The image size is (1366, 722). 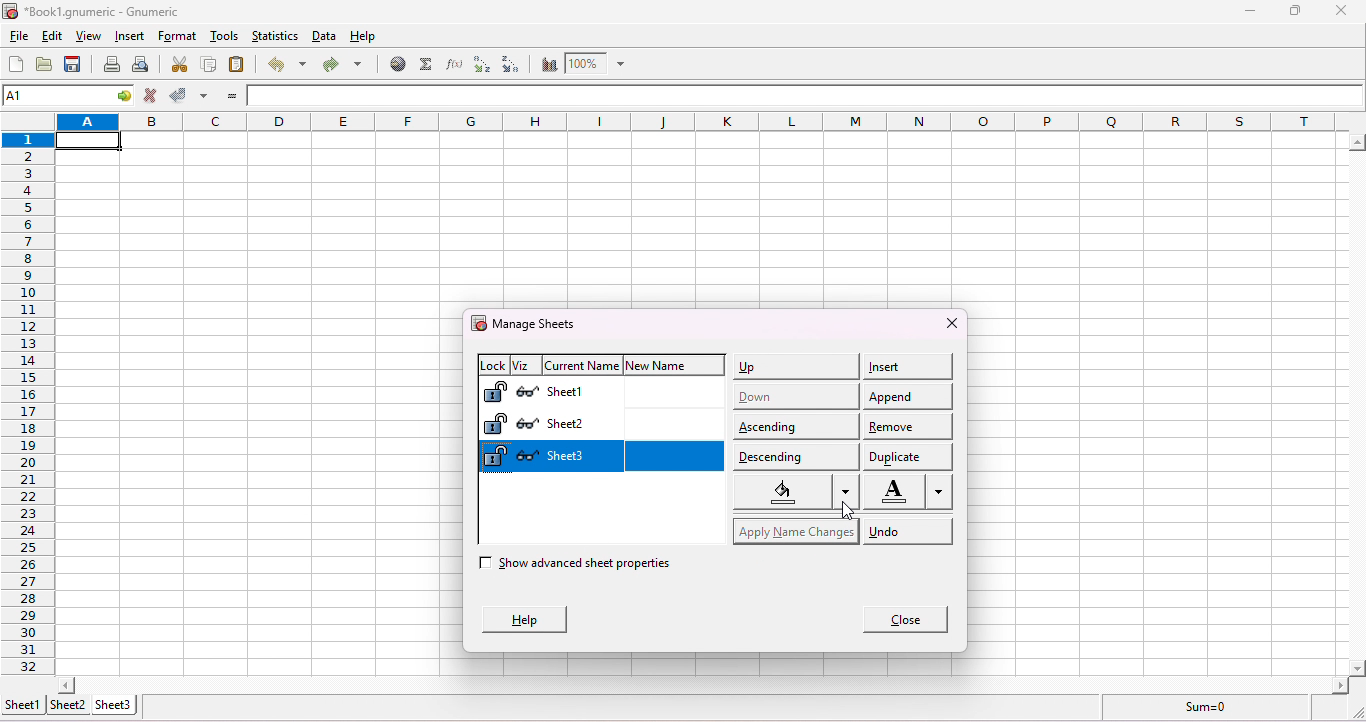 What do you see at coordinates (705, 121) in the screenshot?
I see `column headings` at bounding box center [705, 121].